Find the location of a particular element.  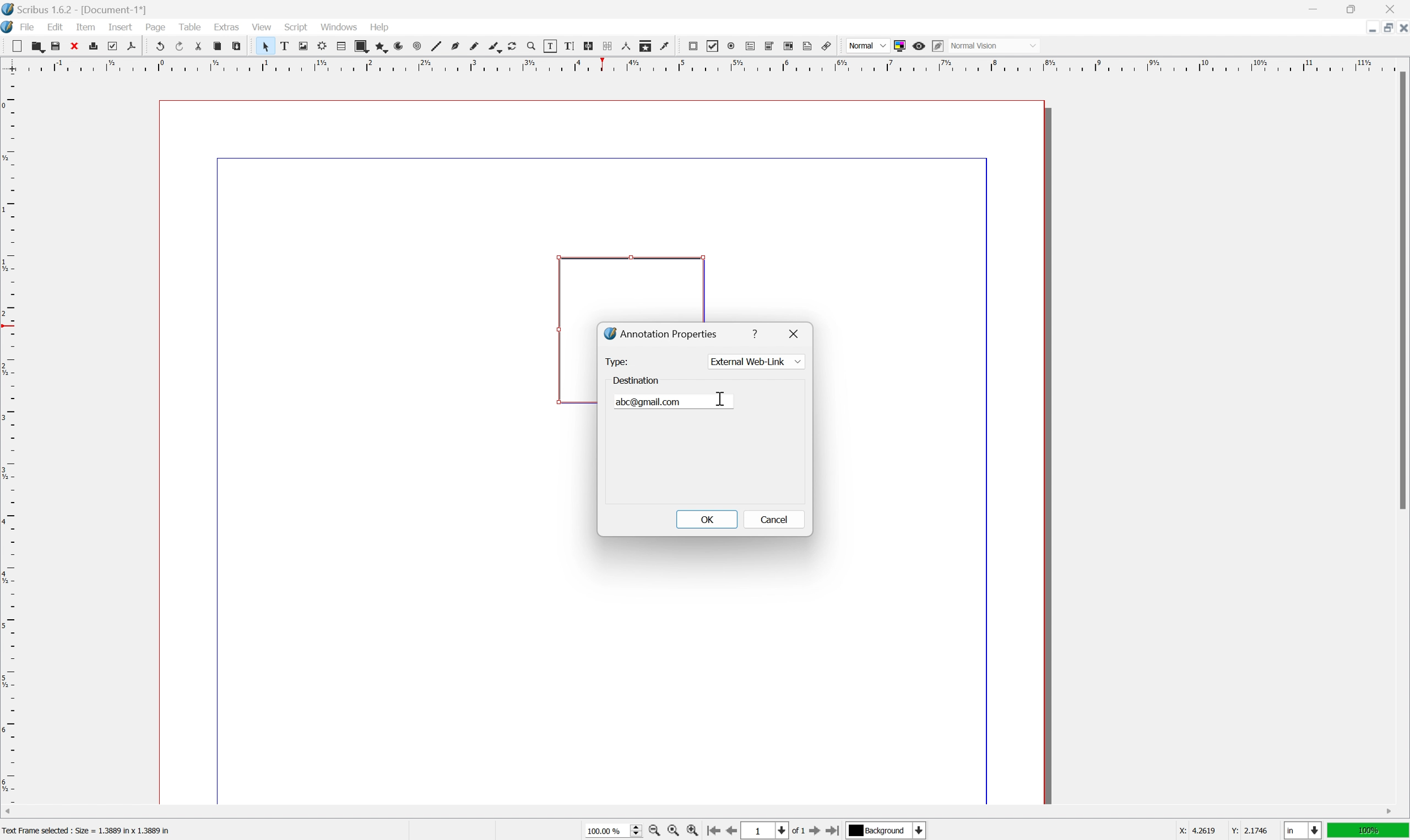

Application name is located at coordinates (75, 9).